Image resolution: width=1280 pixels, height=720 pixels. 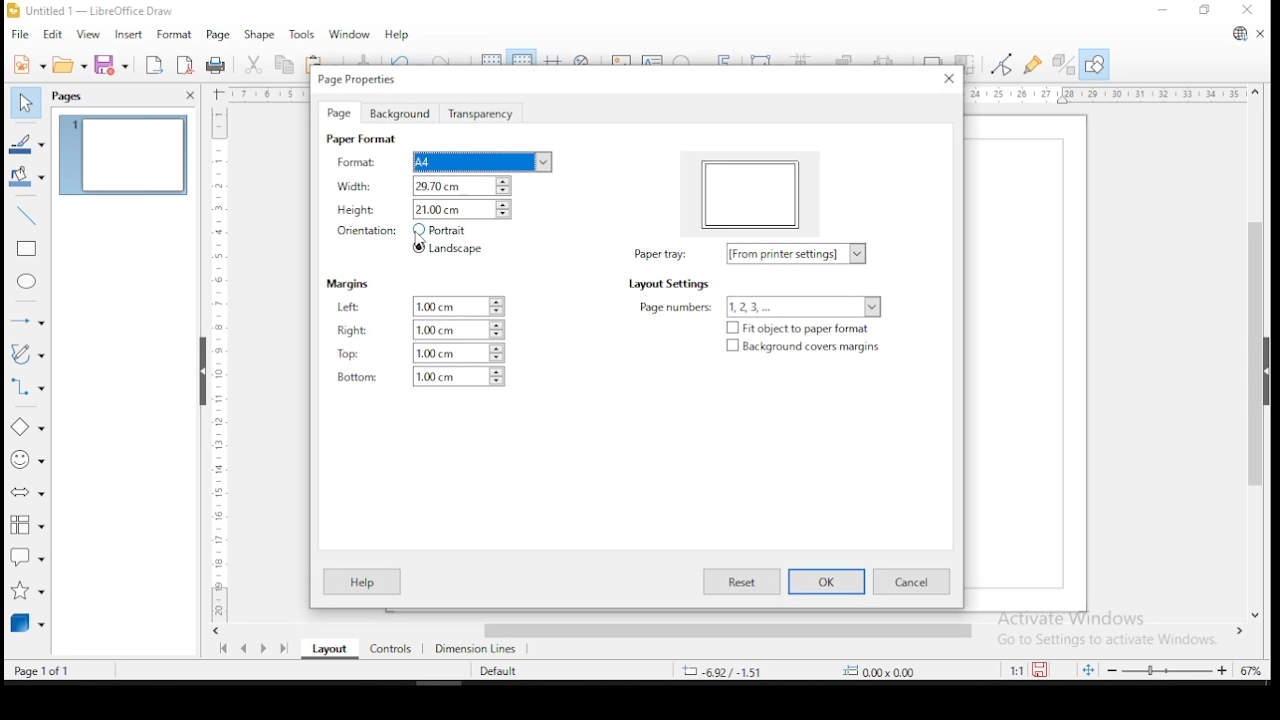 I want to click on top margin settings, so click(x=420, y=353).